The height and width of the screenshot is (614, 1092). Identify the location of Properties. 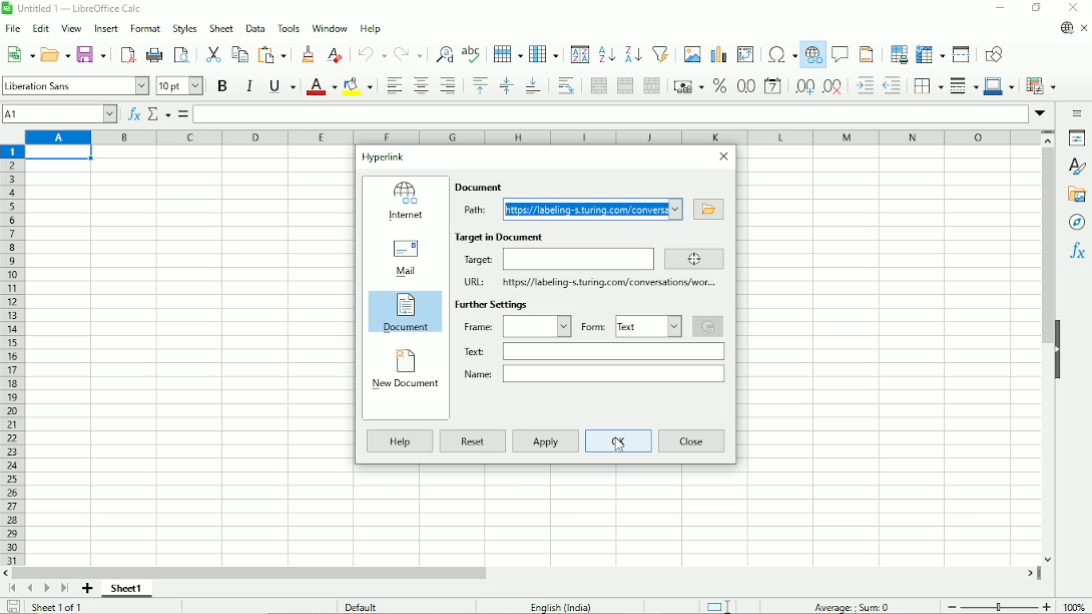
(1076, 138).